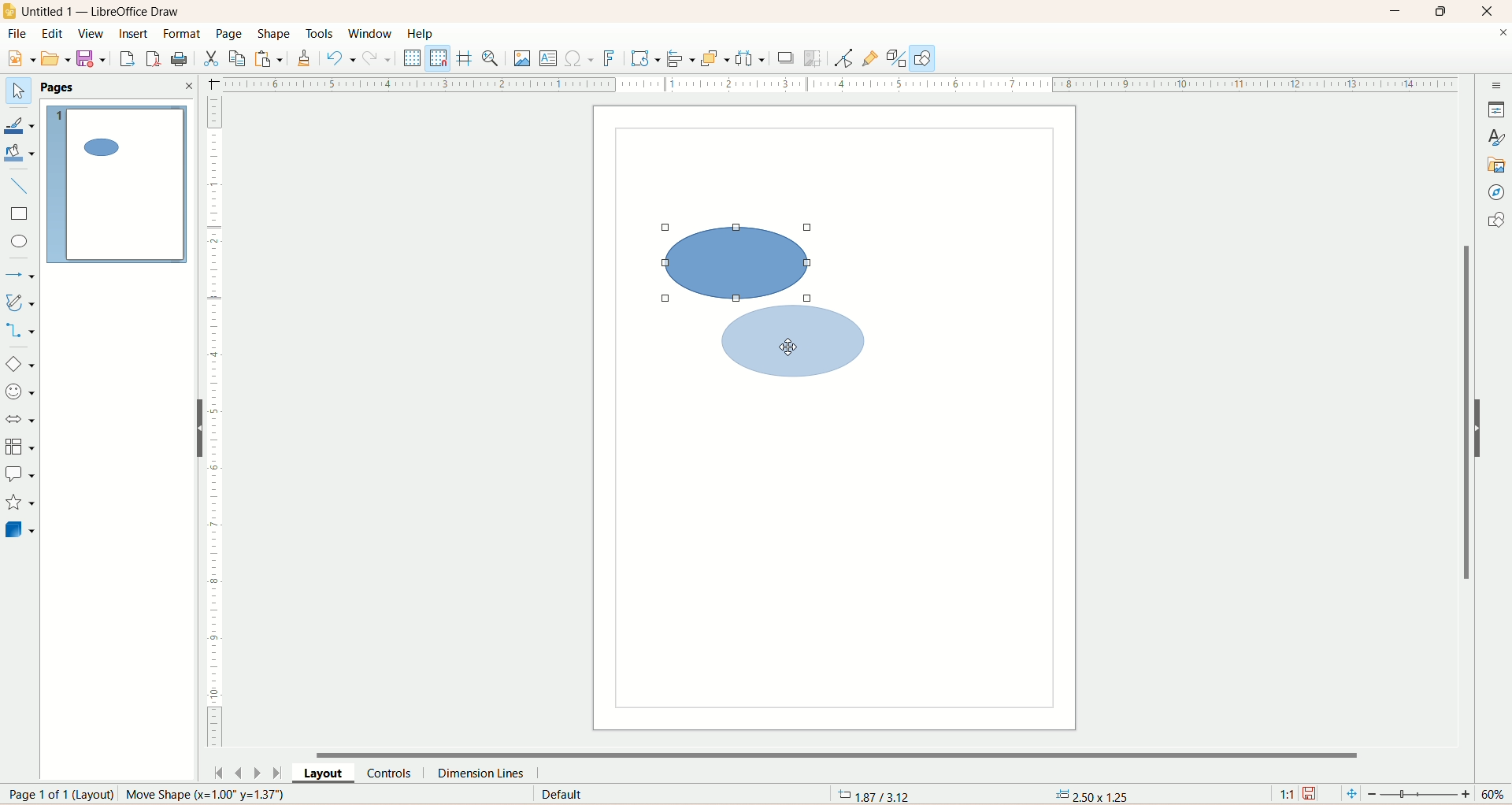  I want to click on undo, so click(341, 58).